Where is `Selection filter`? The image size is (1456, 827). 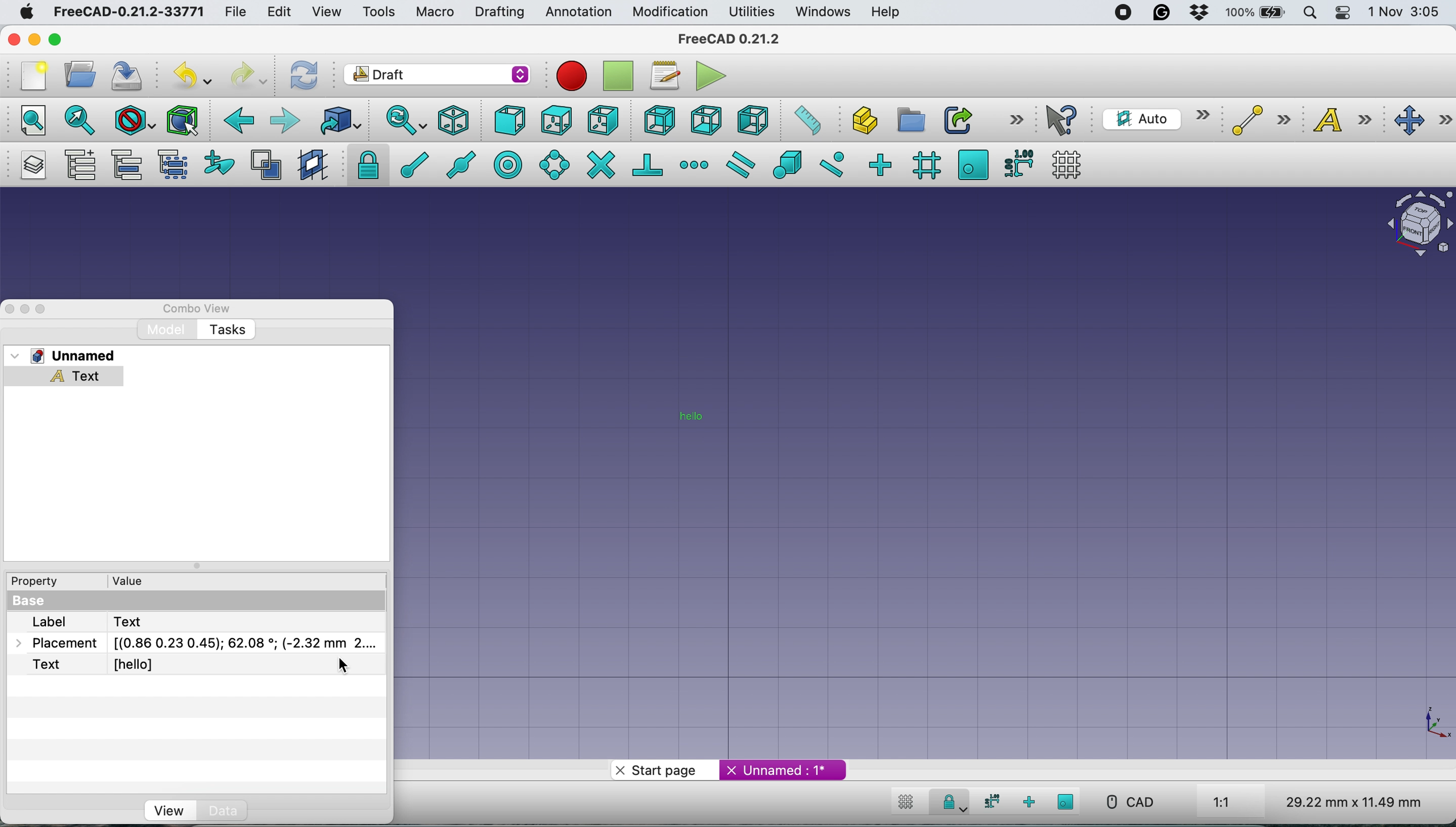
Selection filter is located at coordinates (184, 120).